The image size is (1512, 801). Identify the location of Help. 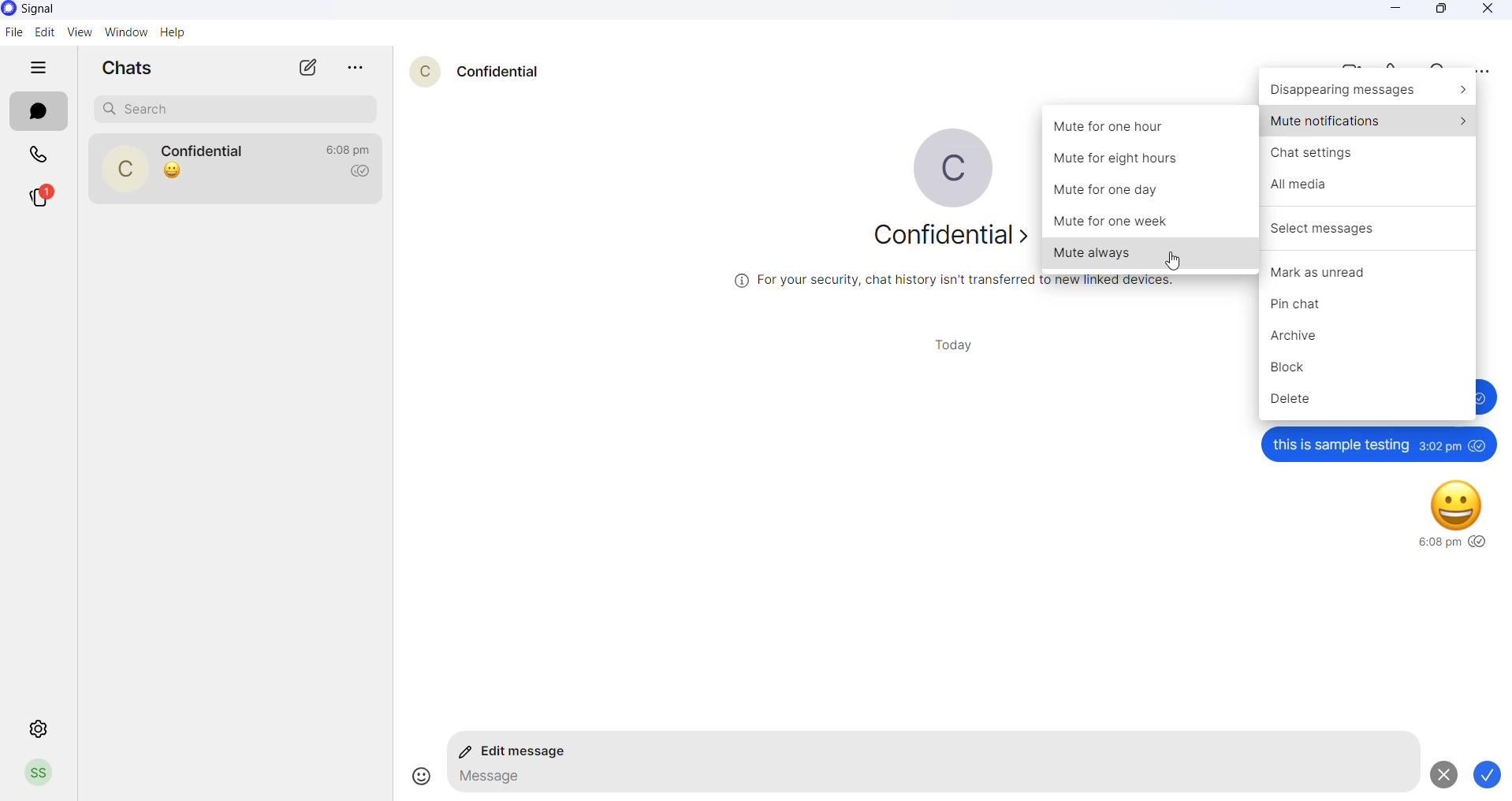
(177, 32).